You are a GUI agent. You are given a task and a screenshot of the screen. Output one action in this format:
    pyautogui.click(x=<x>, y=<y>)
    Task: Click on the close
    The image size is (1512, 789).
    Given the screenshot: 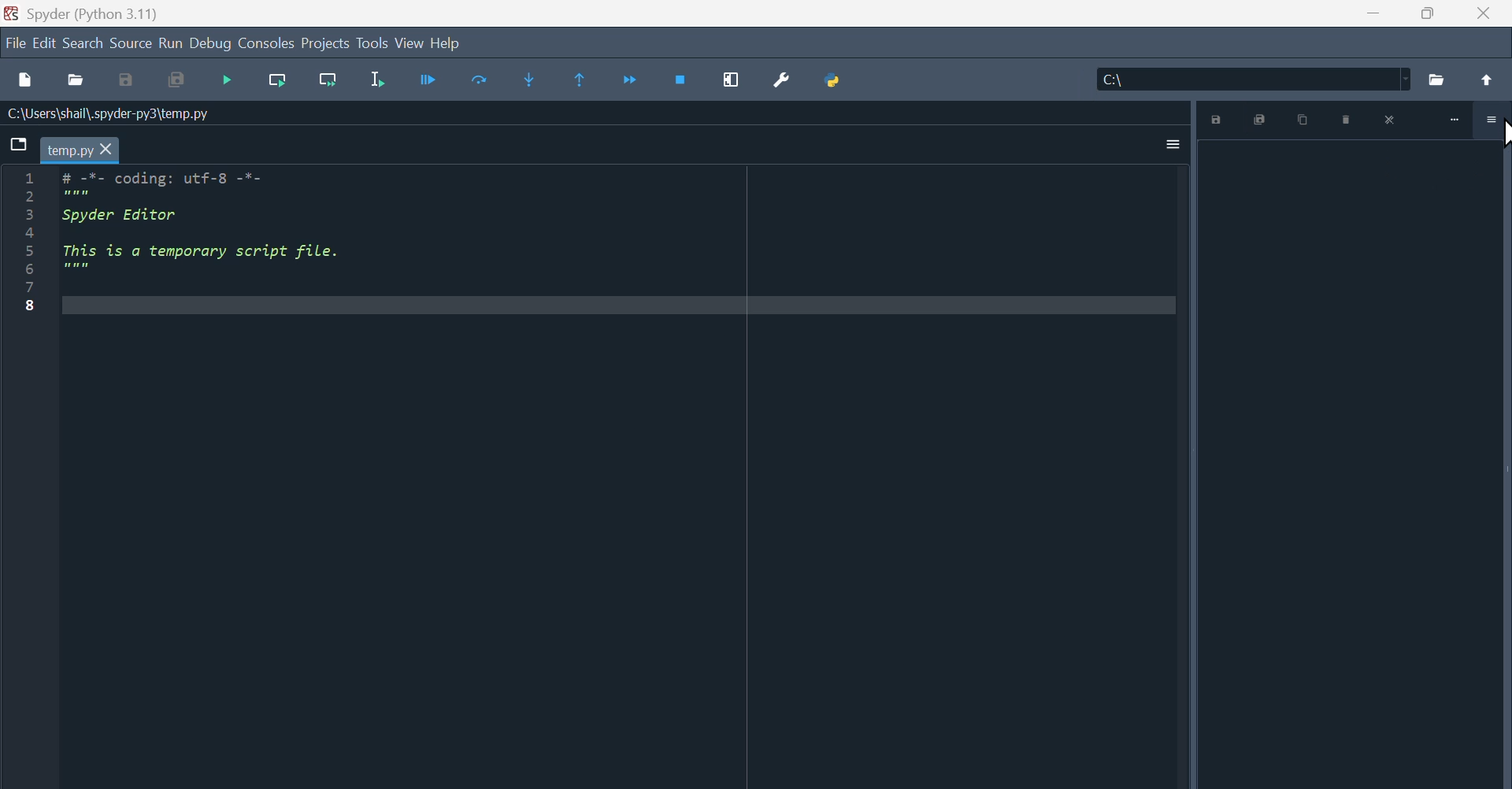 What is the action you would take?
    pyautogui.click(x=1391, y=119)
    